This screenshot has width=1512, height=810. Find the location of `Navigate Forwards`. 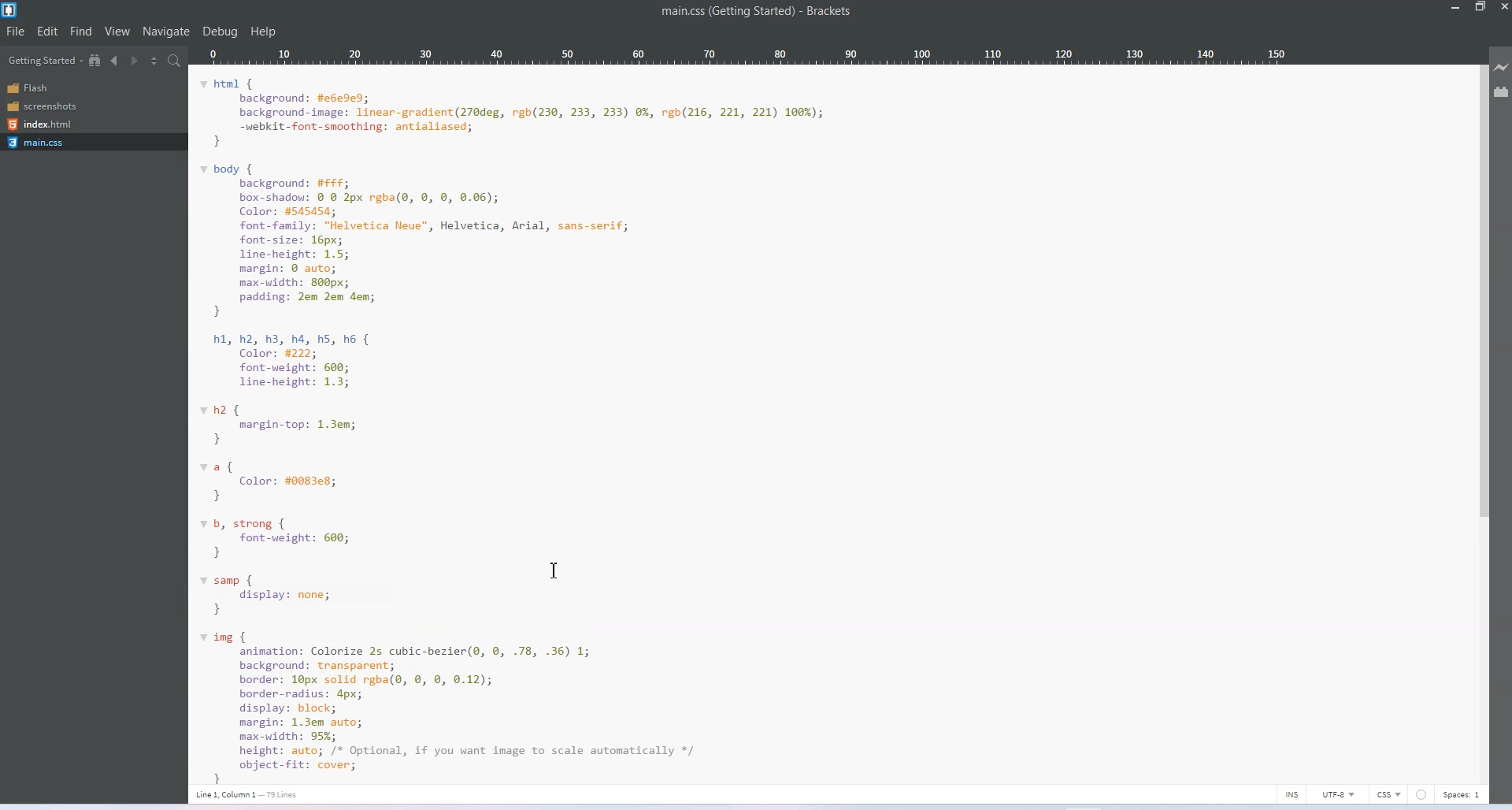

Navigate Forwards is located at coordinates (135, 61).